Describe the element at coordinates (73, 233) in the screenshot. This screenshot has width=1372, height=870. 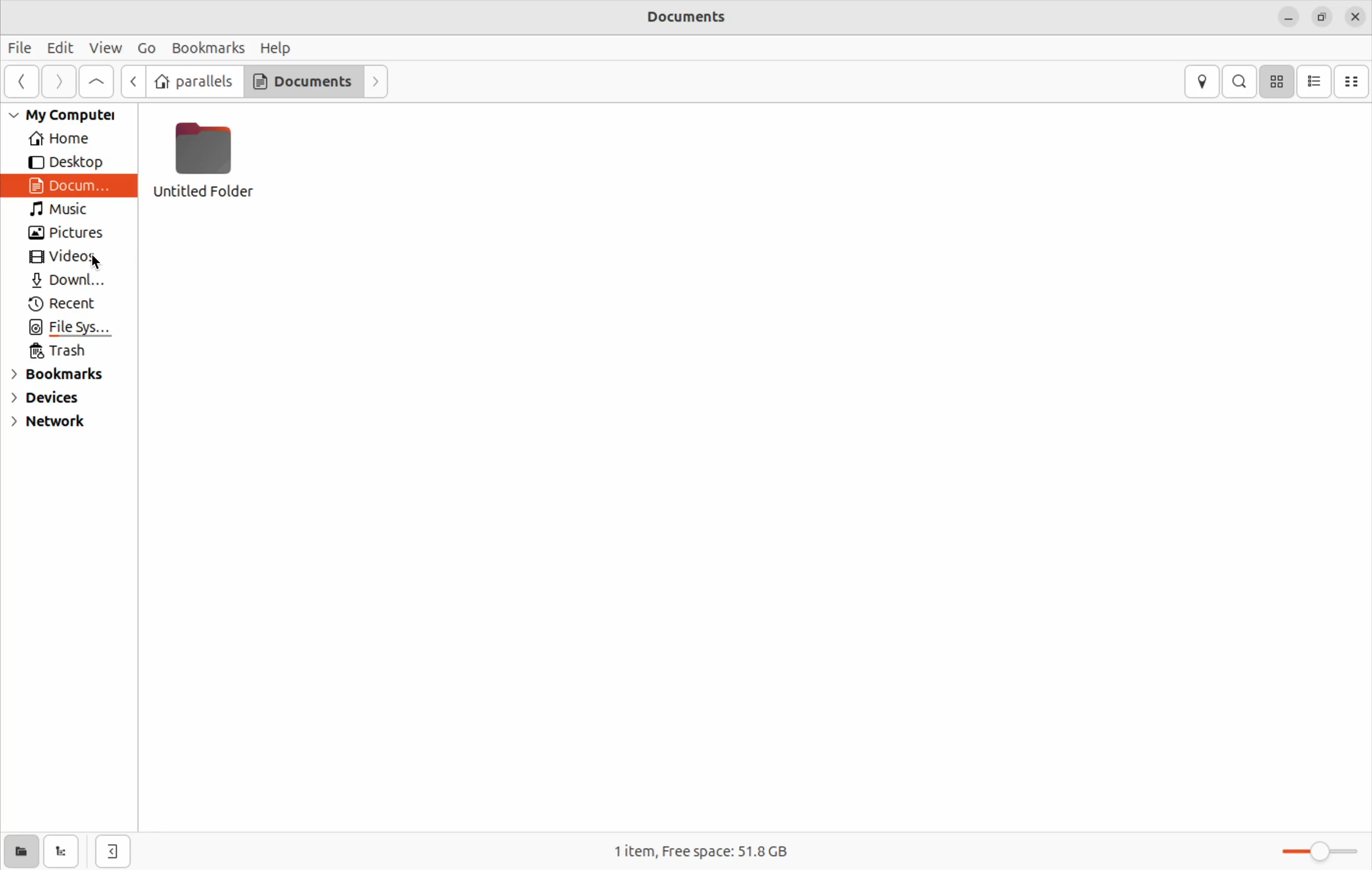
I see `Pictures` at that location.